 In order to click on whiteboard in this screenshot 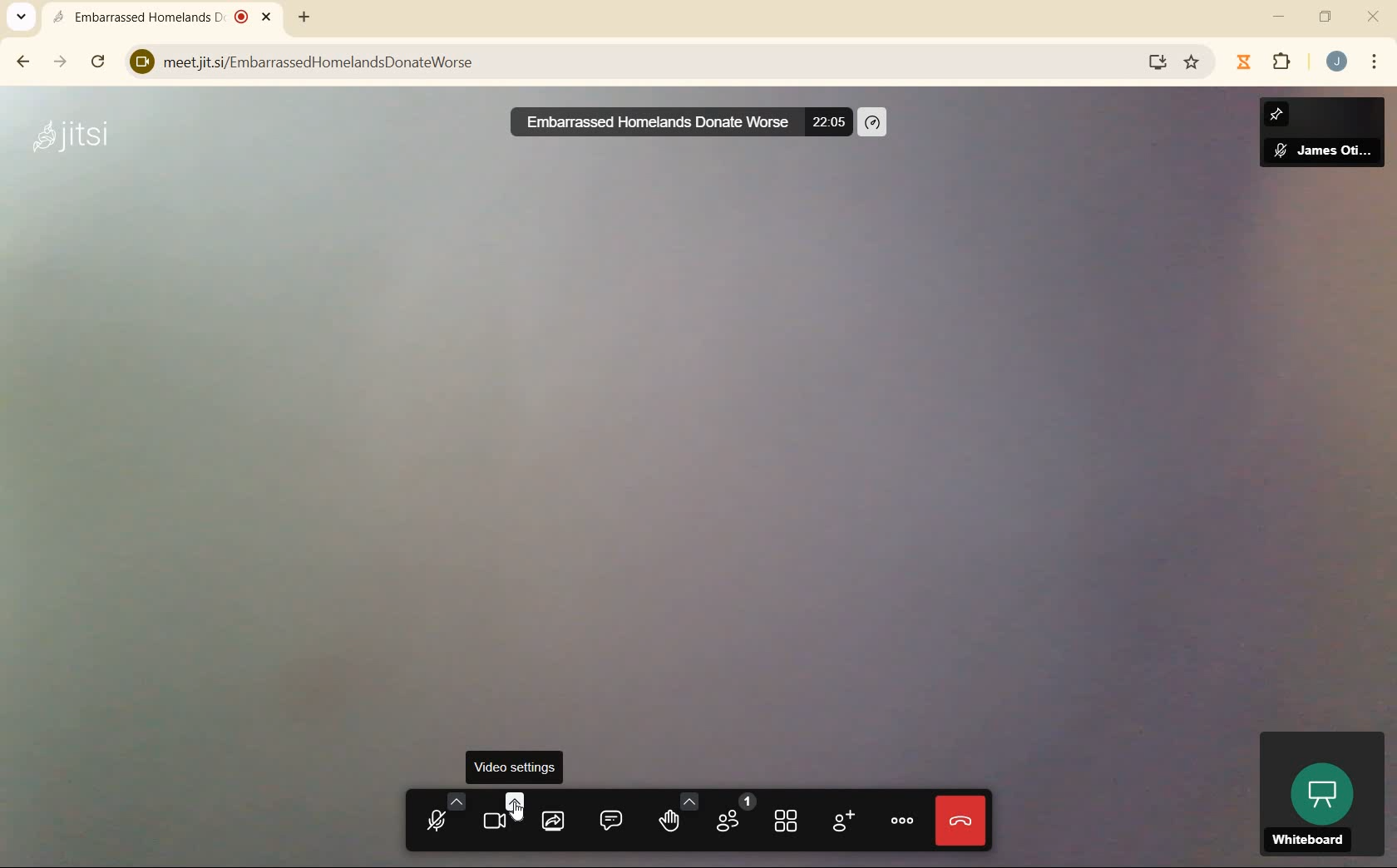, I will do `click(1318, 792)`.